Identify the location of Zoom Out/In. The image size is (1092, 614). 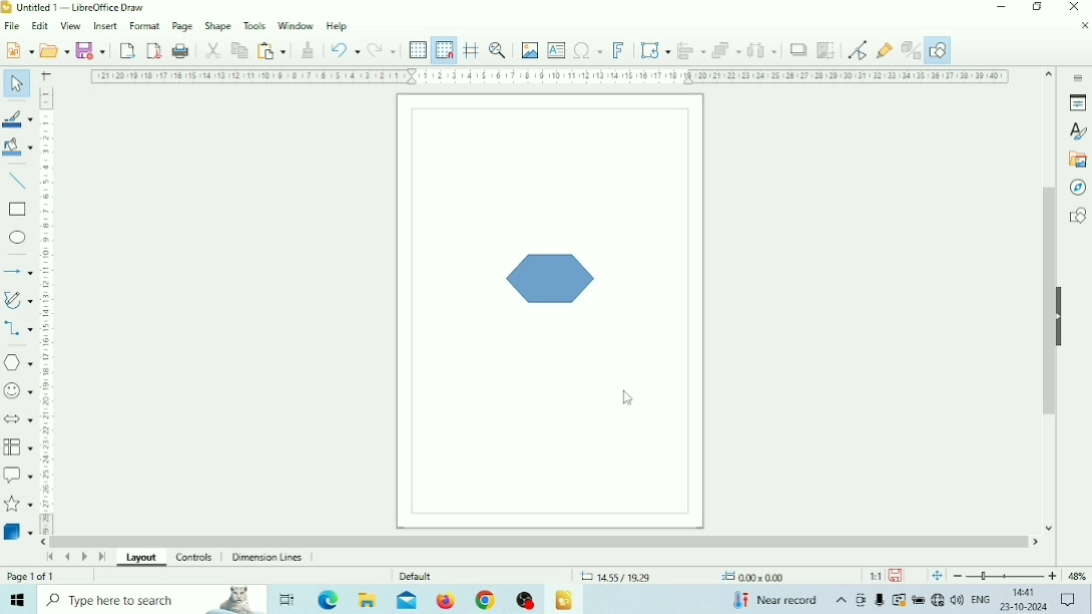
(1005, 576).